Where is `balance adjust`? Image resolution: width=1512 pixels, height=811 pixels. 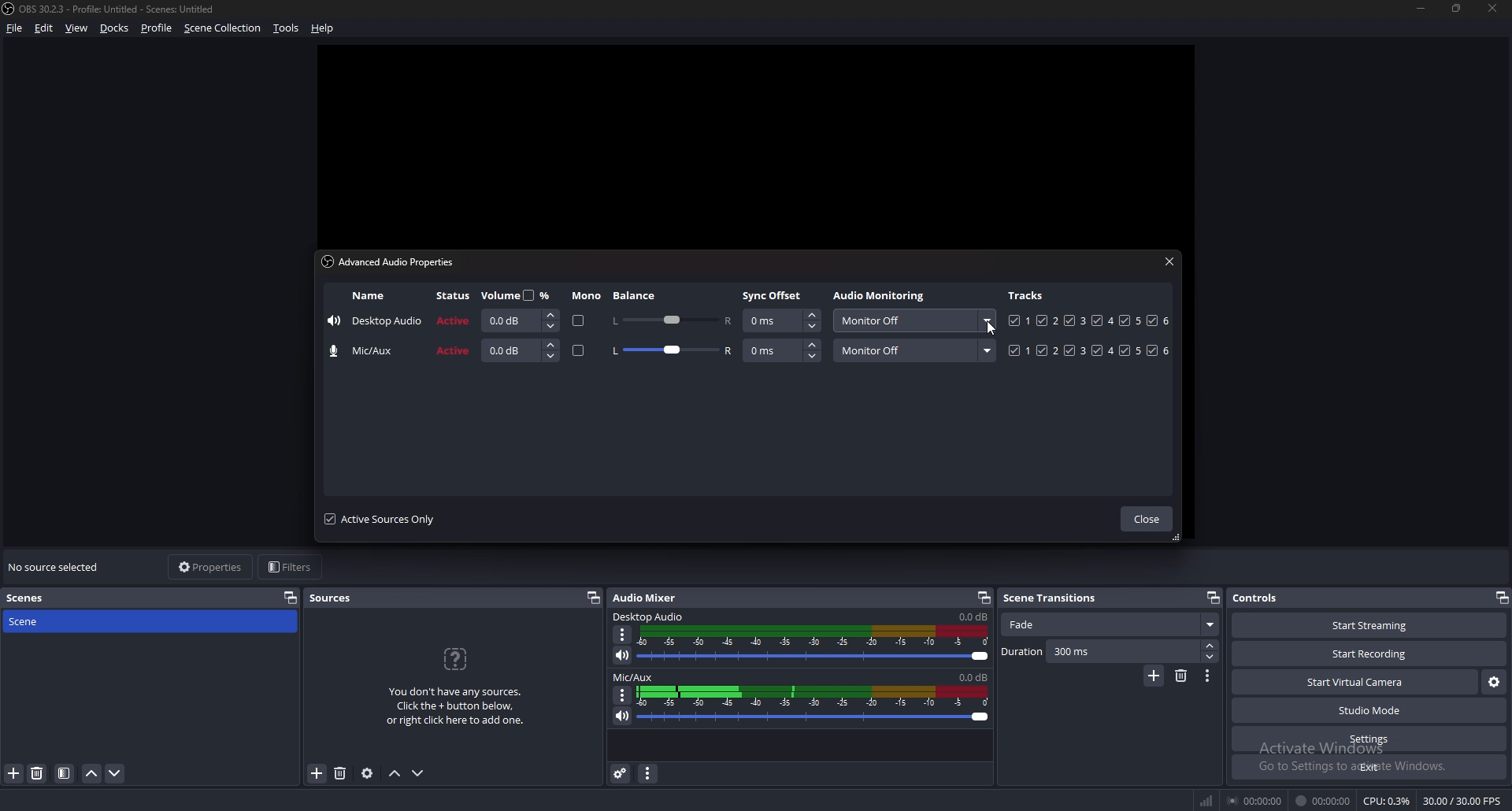 balance adjust is located at coordinates (671, 319).